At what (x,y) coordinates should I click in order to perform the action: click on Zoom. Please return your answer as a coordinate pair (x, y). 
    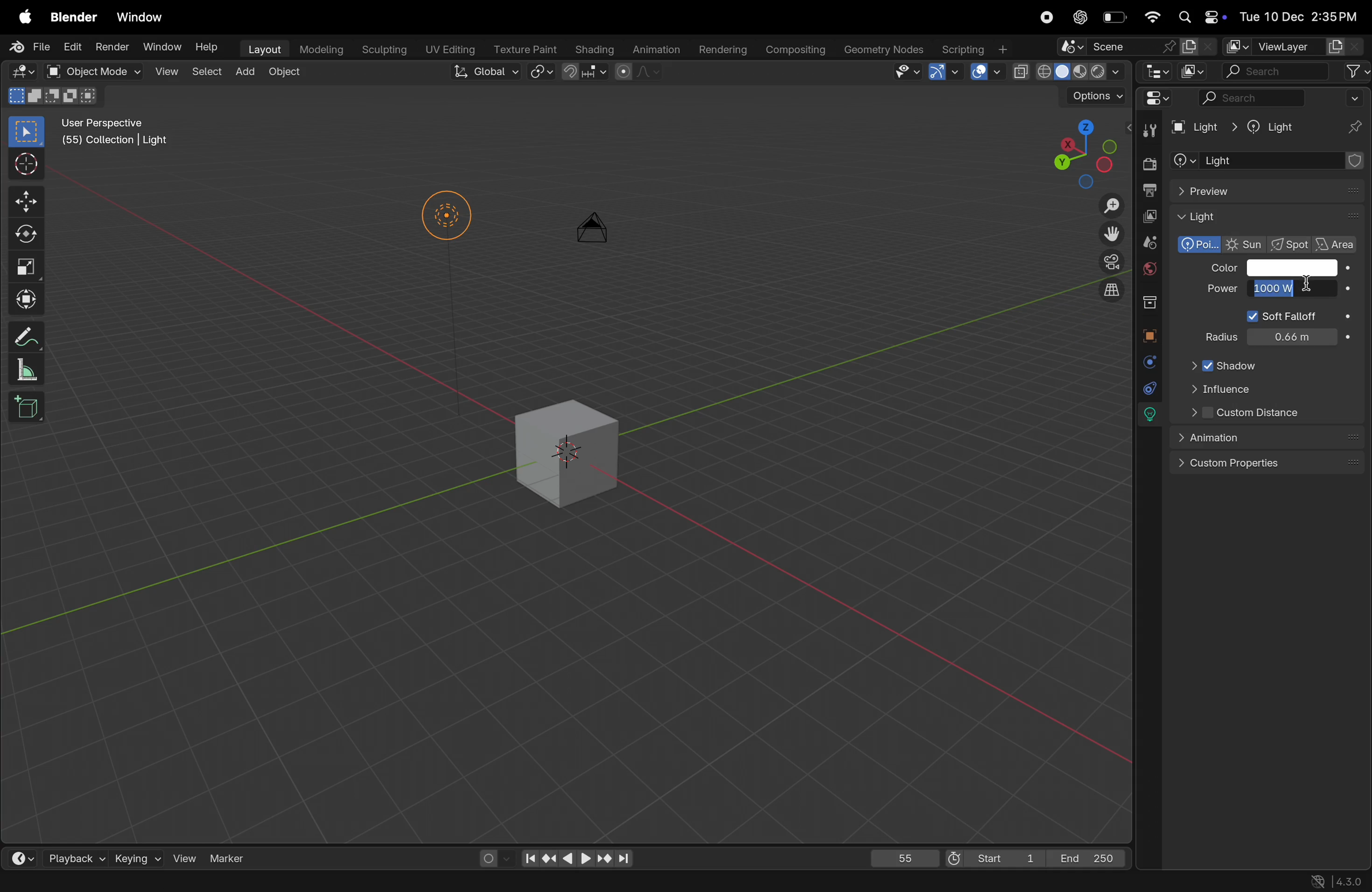
    Looking at the image, I should click on (1114, 207).